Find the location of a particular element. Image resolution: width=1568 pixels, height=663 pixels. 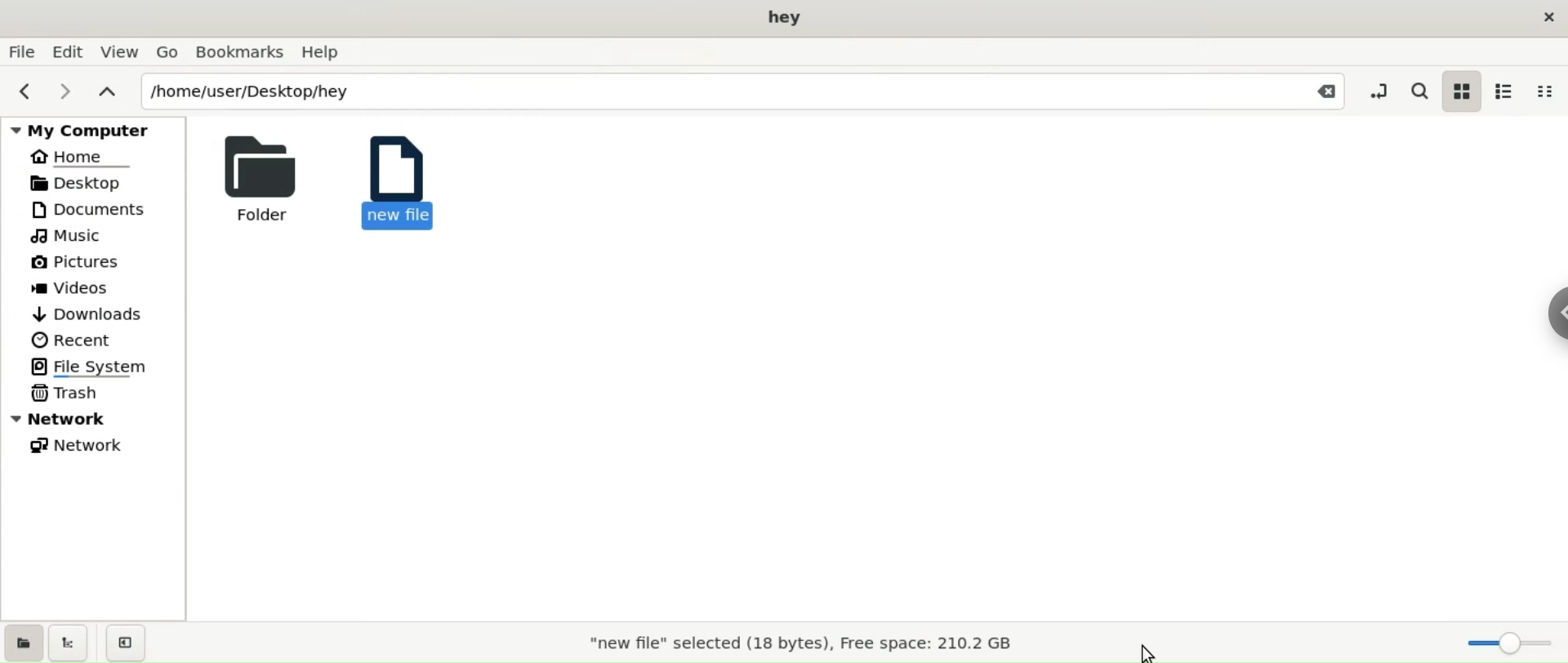

list view is located at coordinates (1504, 89).